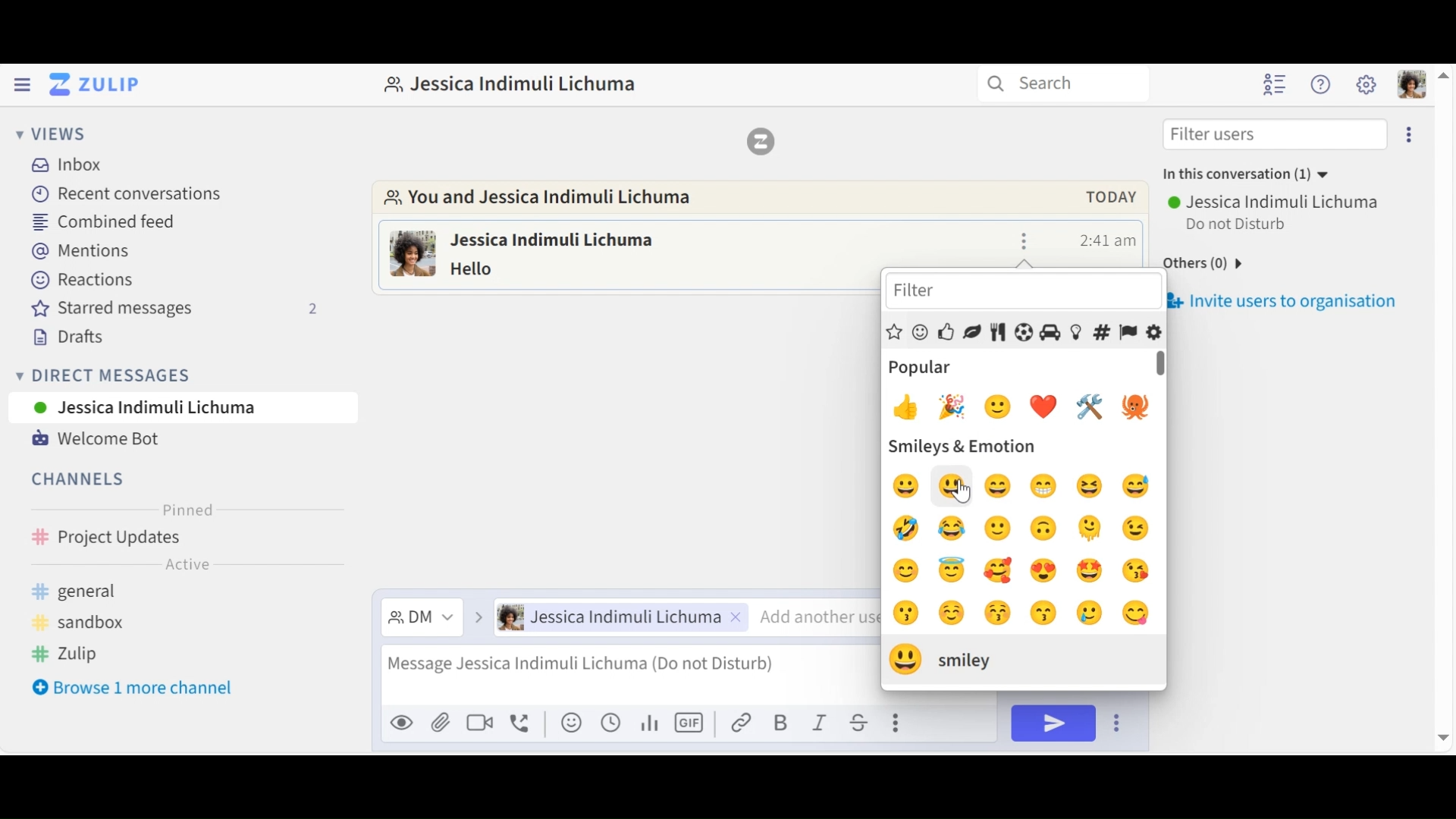 This screenshot has height=819, width=1456. I want to click on smile heart eyes, so click(1051, 571).